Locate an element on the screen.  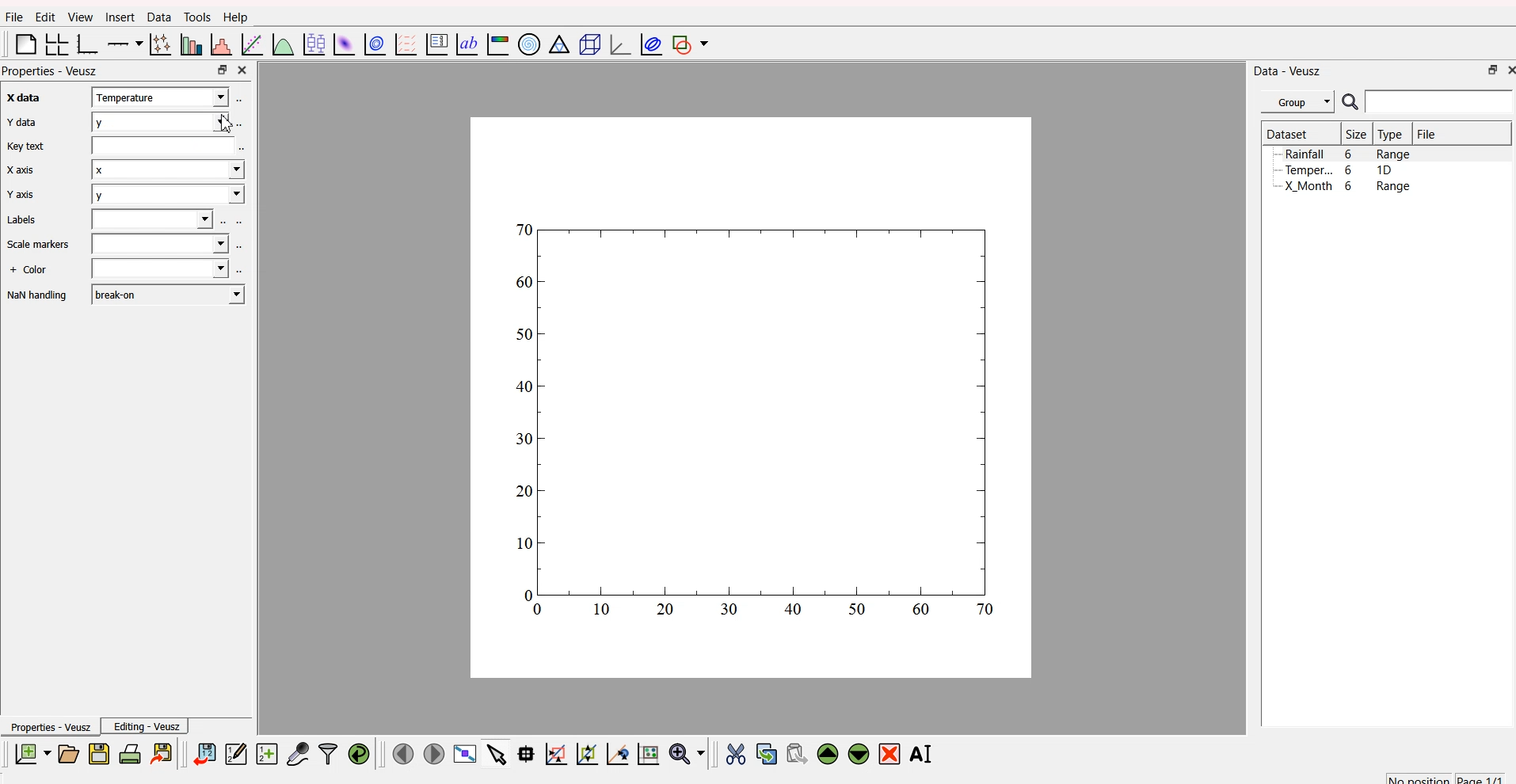
Y axis is located at coordinates (20, 196).